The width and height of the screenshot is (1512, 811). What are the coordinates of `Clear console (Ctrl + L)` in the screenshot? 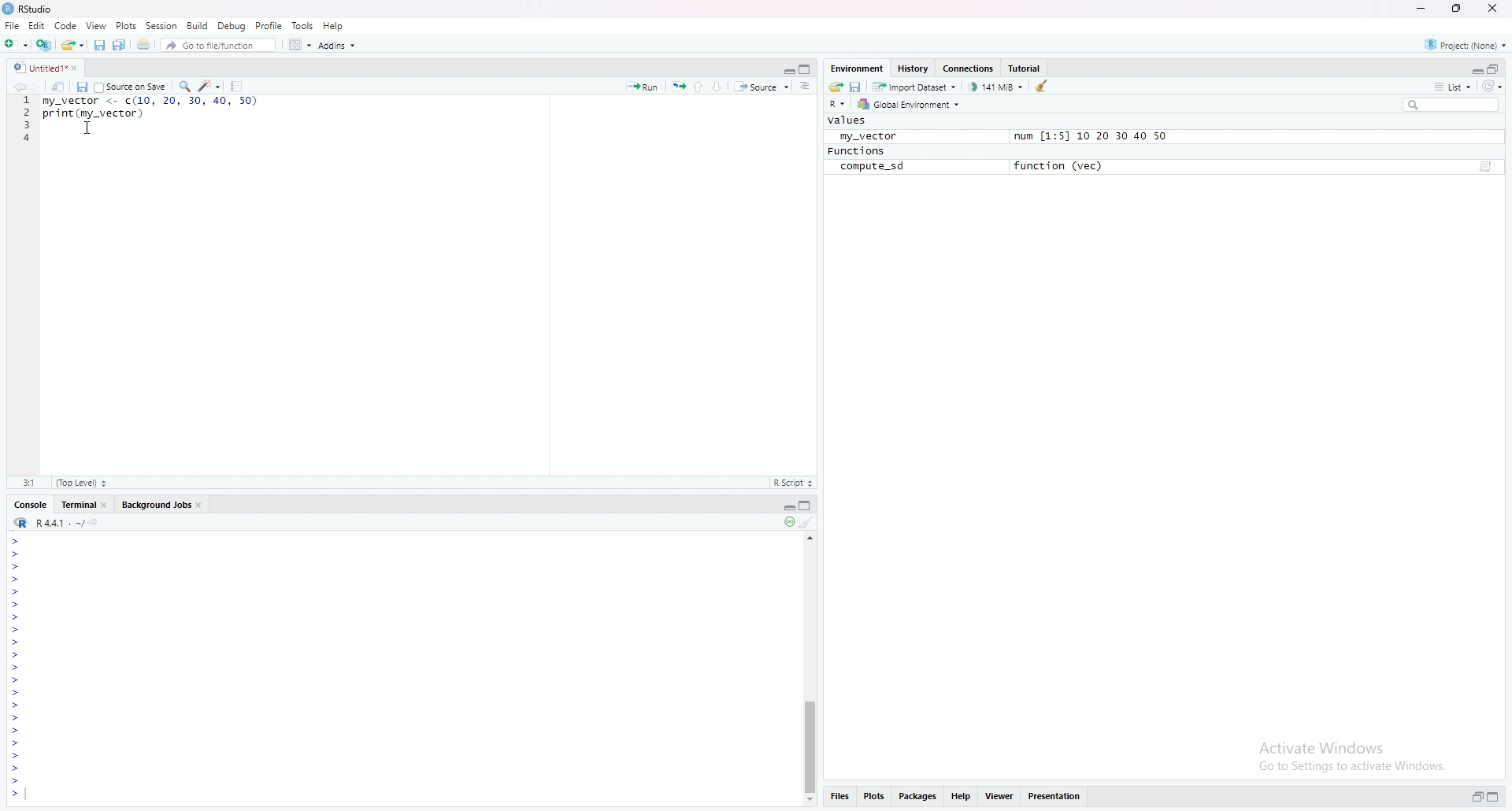 It's located at (808, 523).